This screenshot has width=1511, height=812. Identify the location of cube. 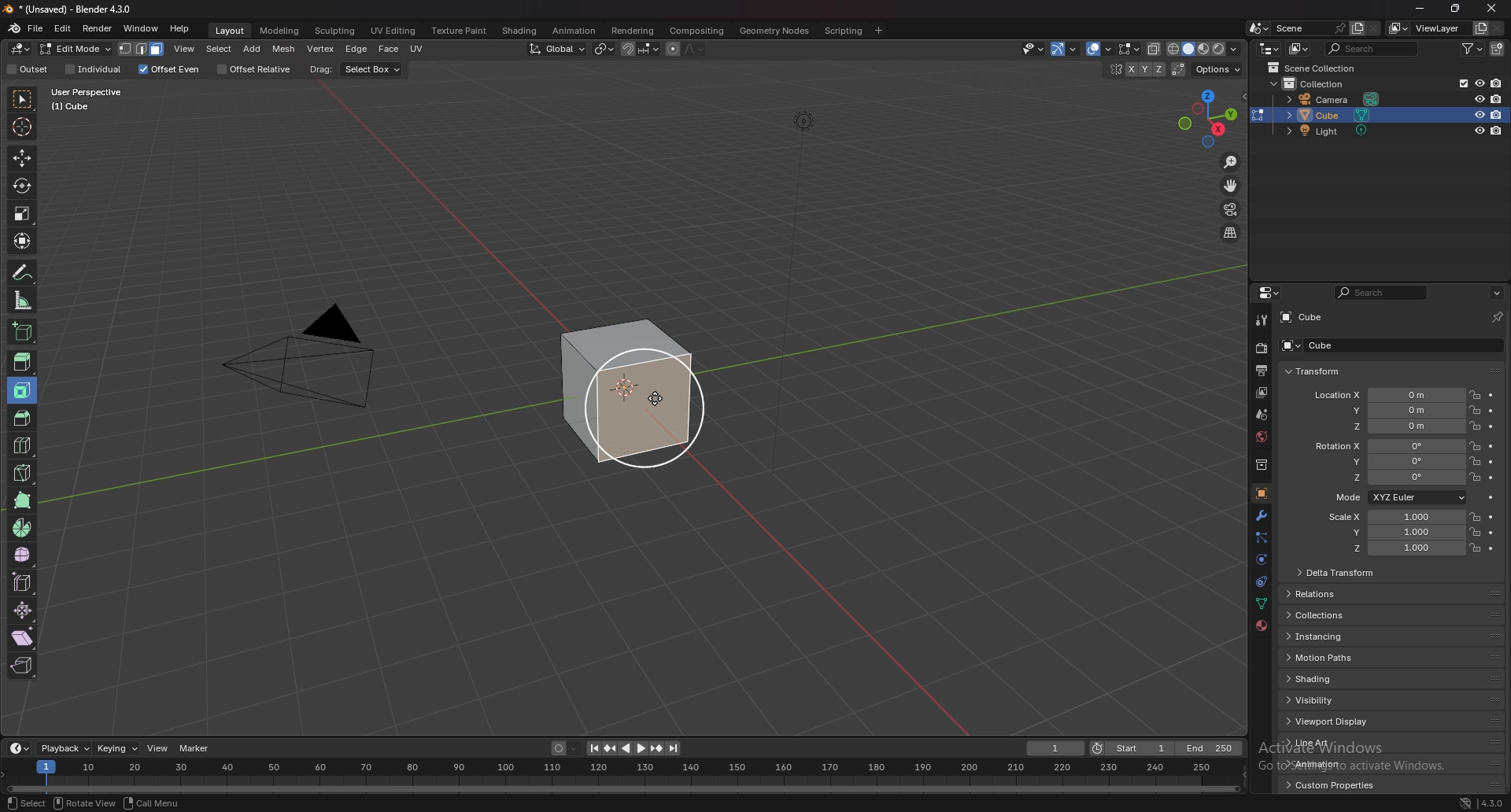
(628, 392).